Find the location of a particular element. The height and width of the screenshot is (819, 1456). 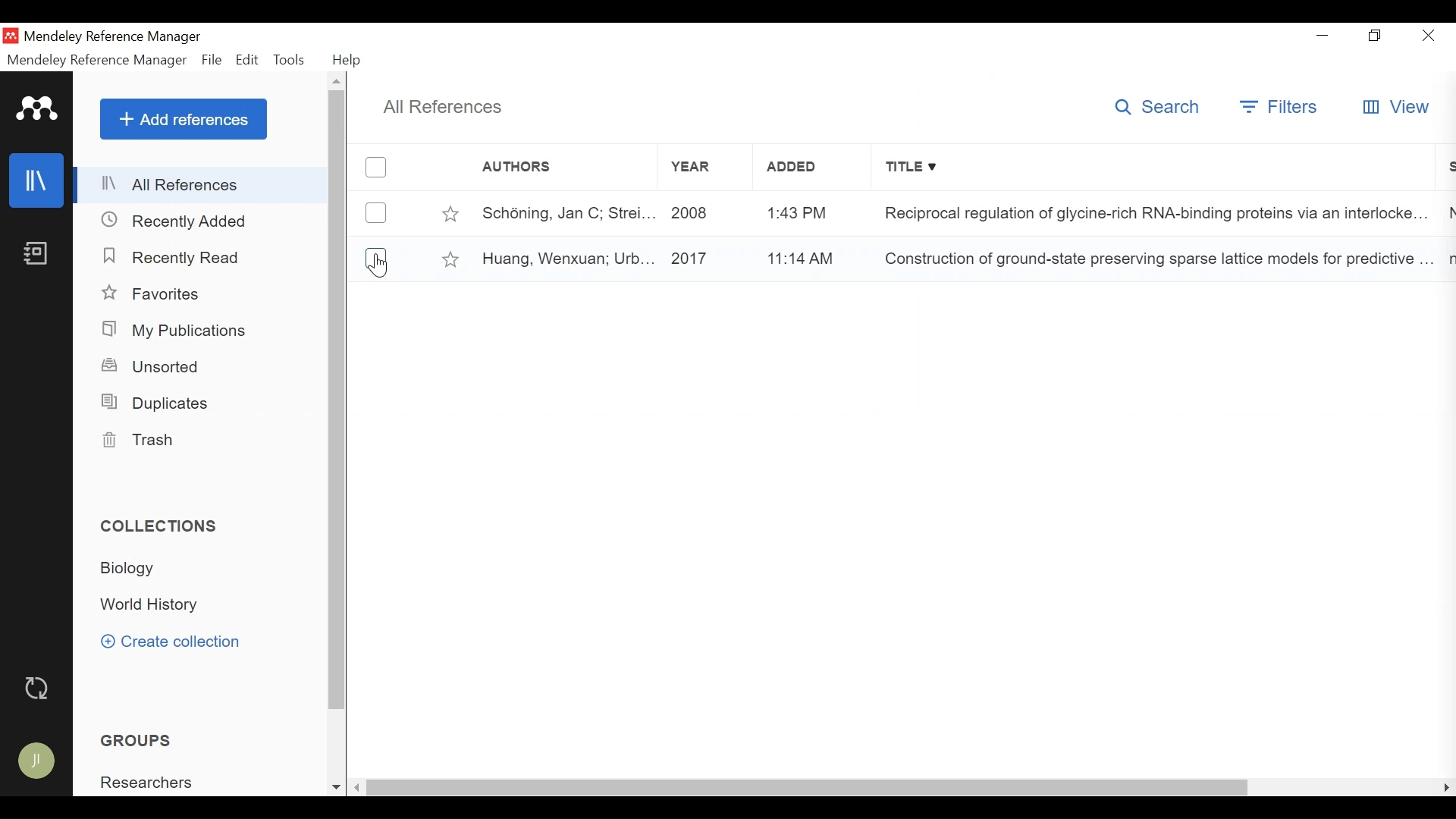

My Publications is located at coordinates (180, 331).